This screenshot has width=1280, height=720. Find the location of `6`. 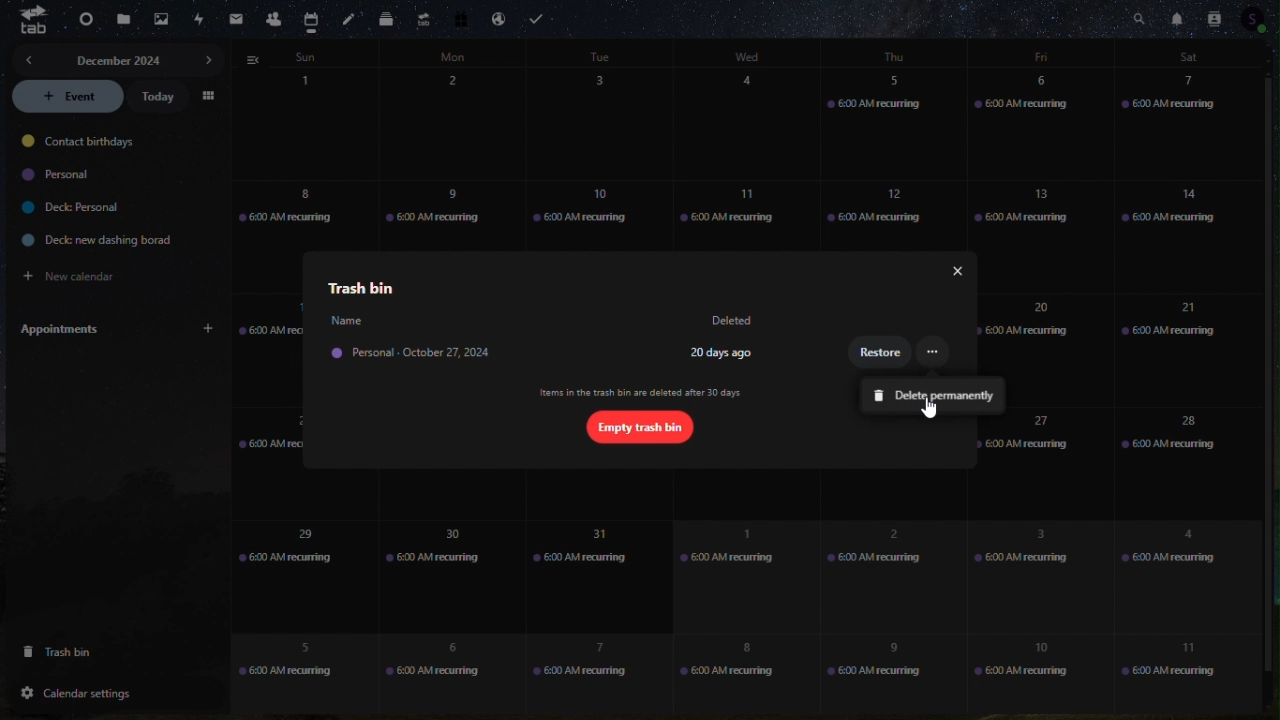

6 is located at coordinates (1038, 125).